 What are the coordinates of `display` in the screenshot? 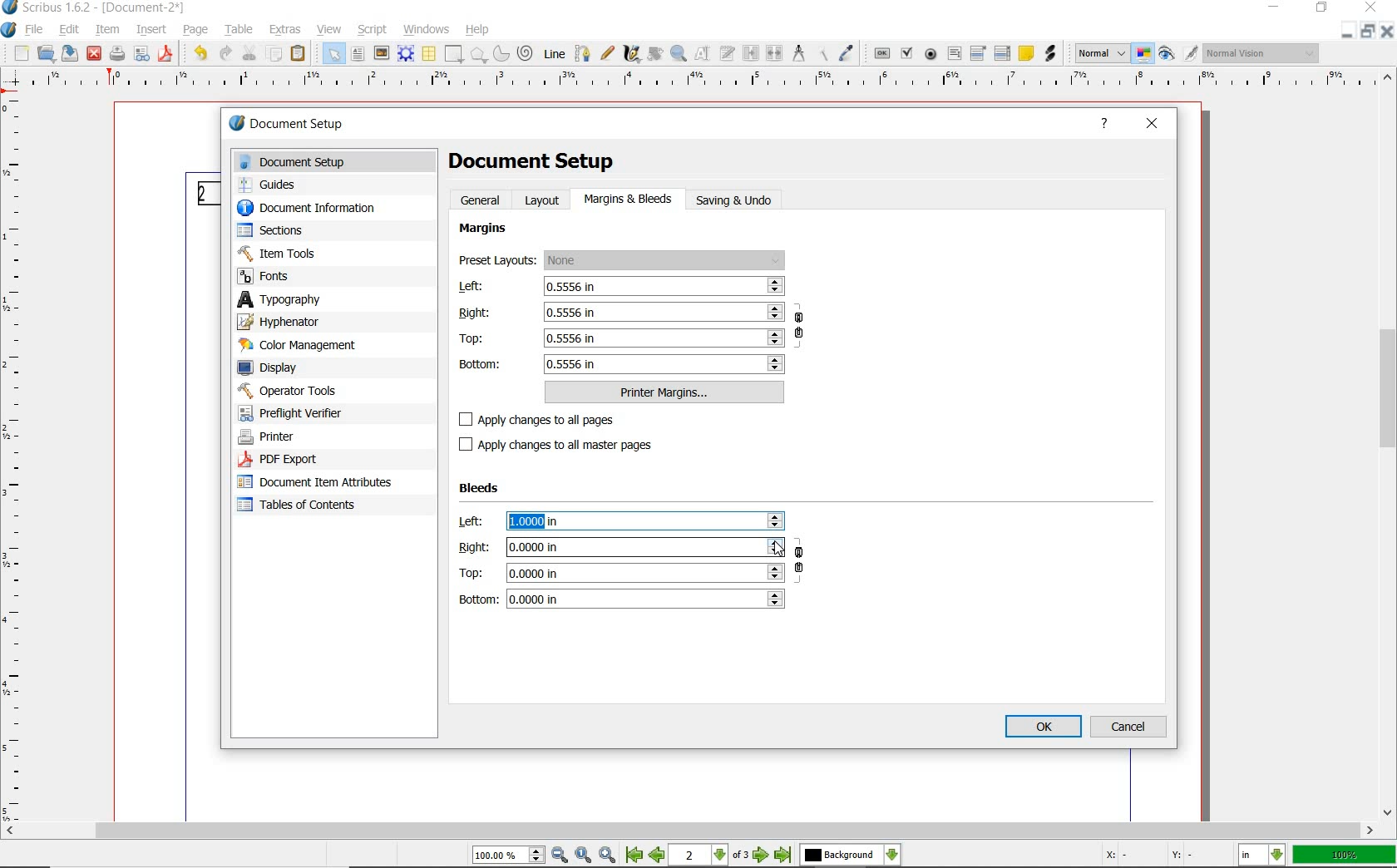 It's located at (275, 368).